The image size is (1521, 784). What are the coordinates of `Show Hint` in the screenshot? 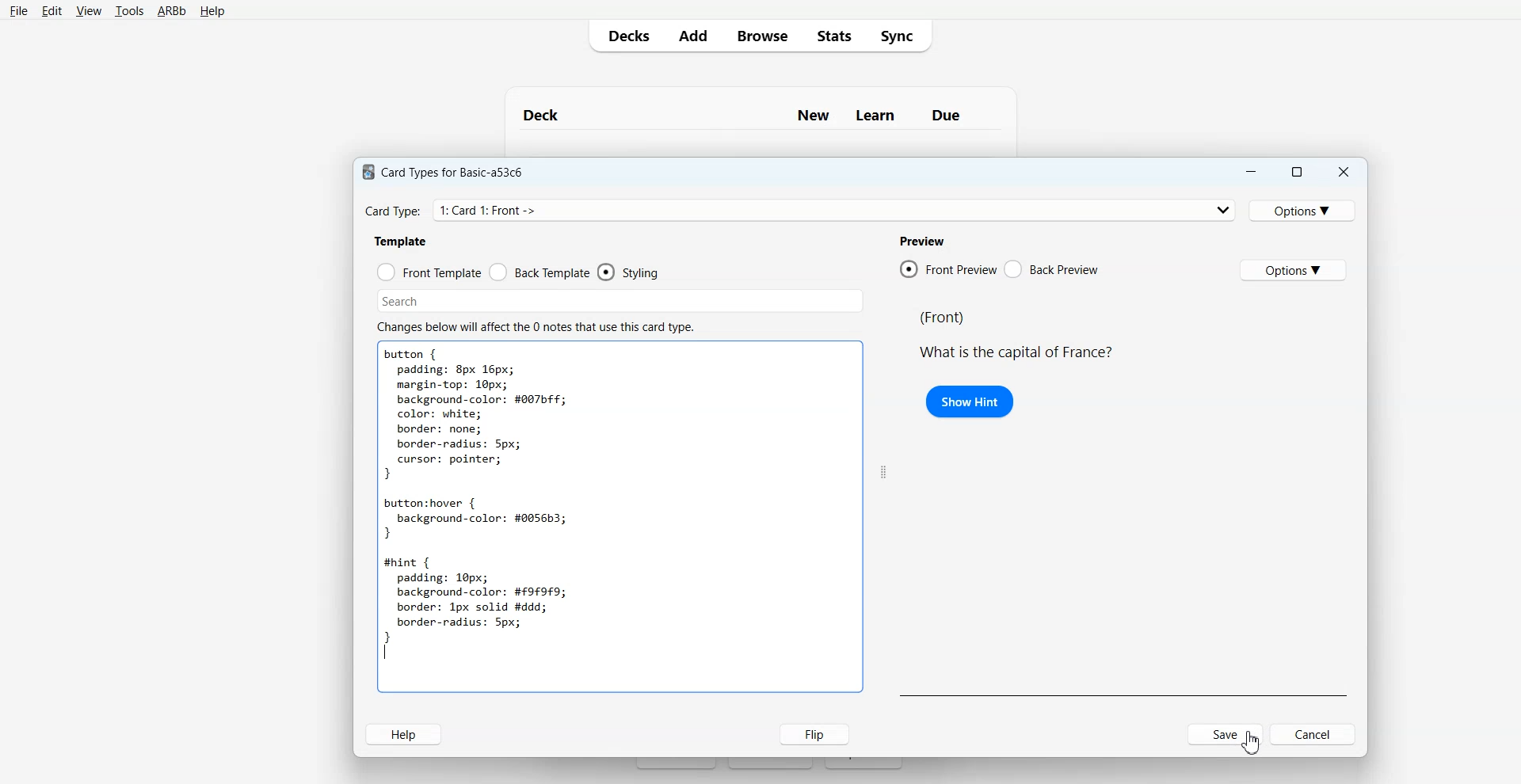 It's located at (969, 401).